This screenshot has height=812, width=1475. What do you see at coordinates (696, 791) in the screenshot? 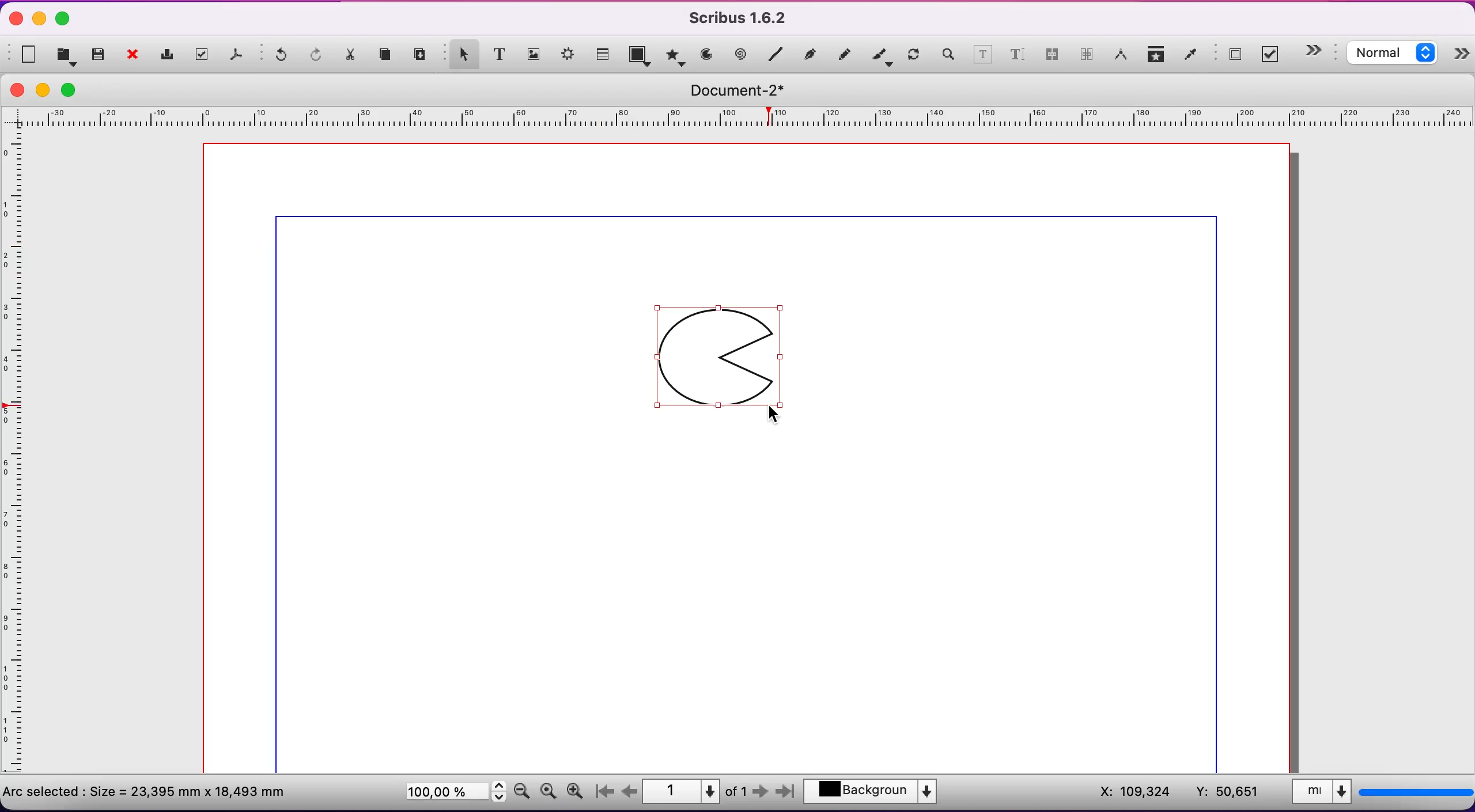
I see `number of page` at bounding box center [696, 791].